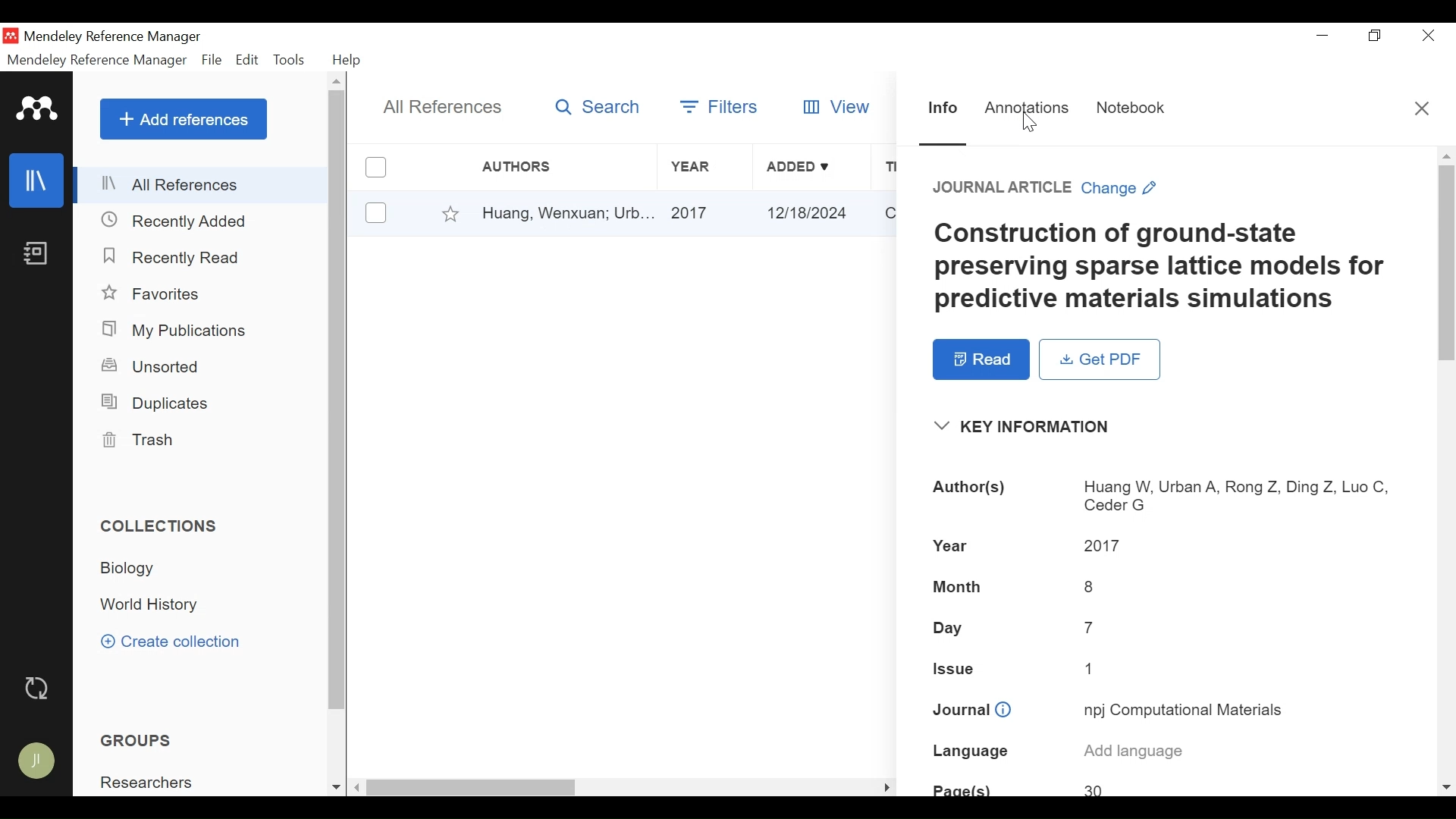 Image resolution: width=1456 pixels, height=819 pixels. I want to click on All References, so click(448, 107).